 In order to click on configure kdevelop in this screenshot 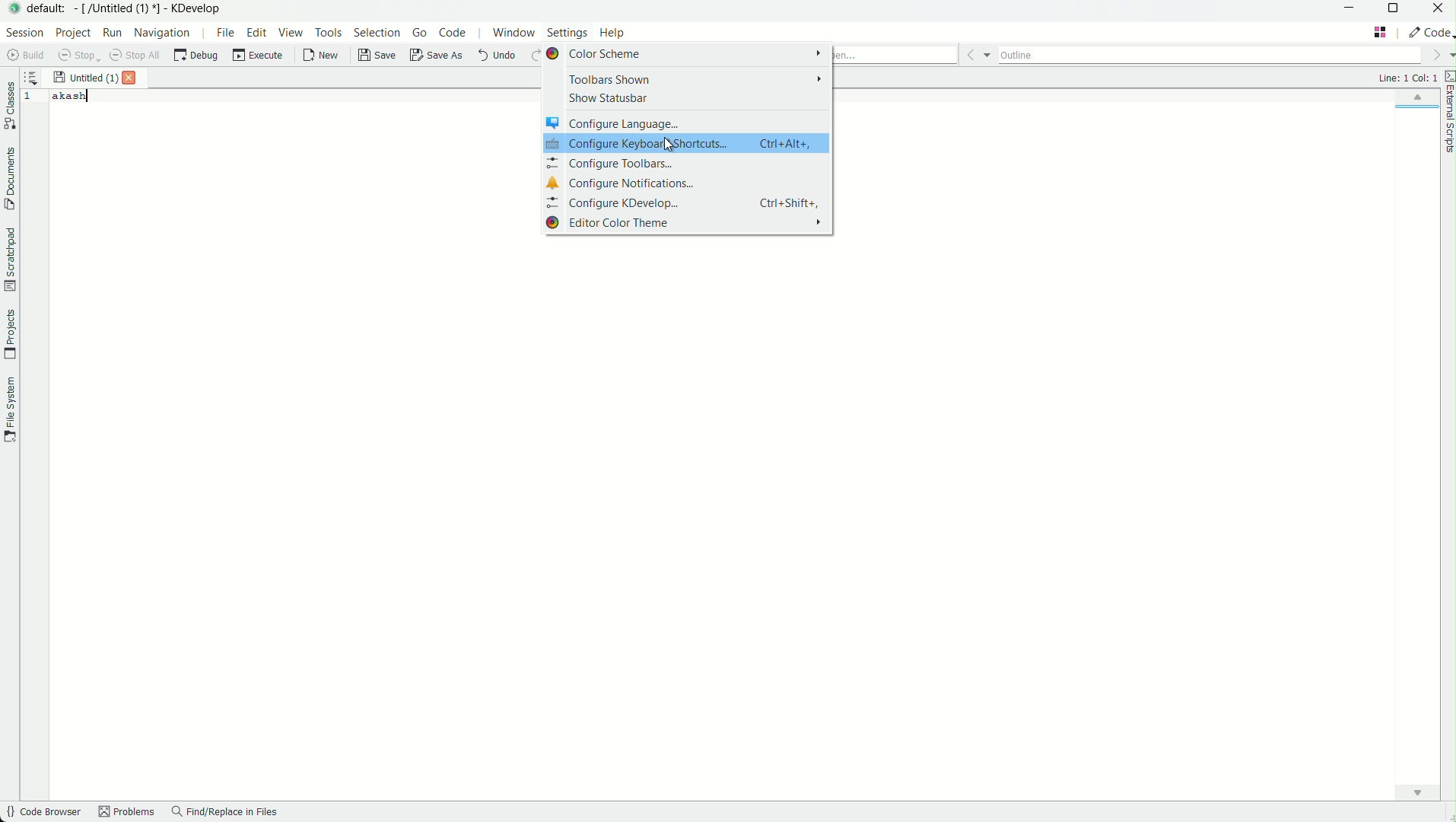, I will do `click(689, 202)`.